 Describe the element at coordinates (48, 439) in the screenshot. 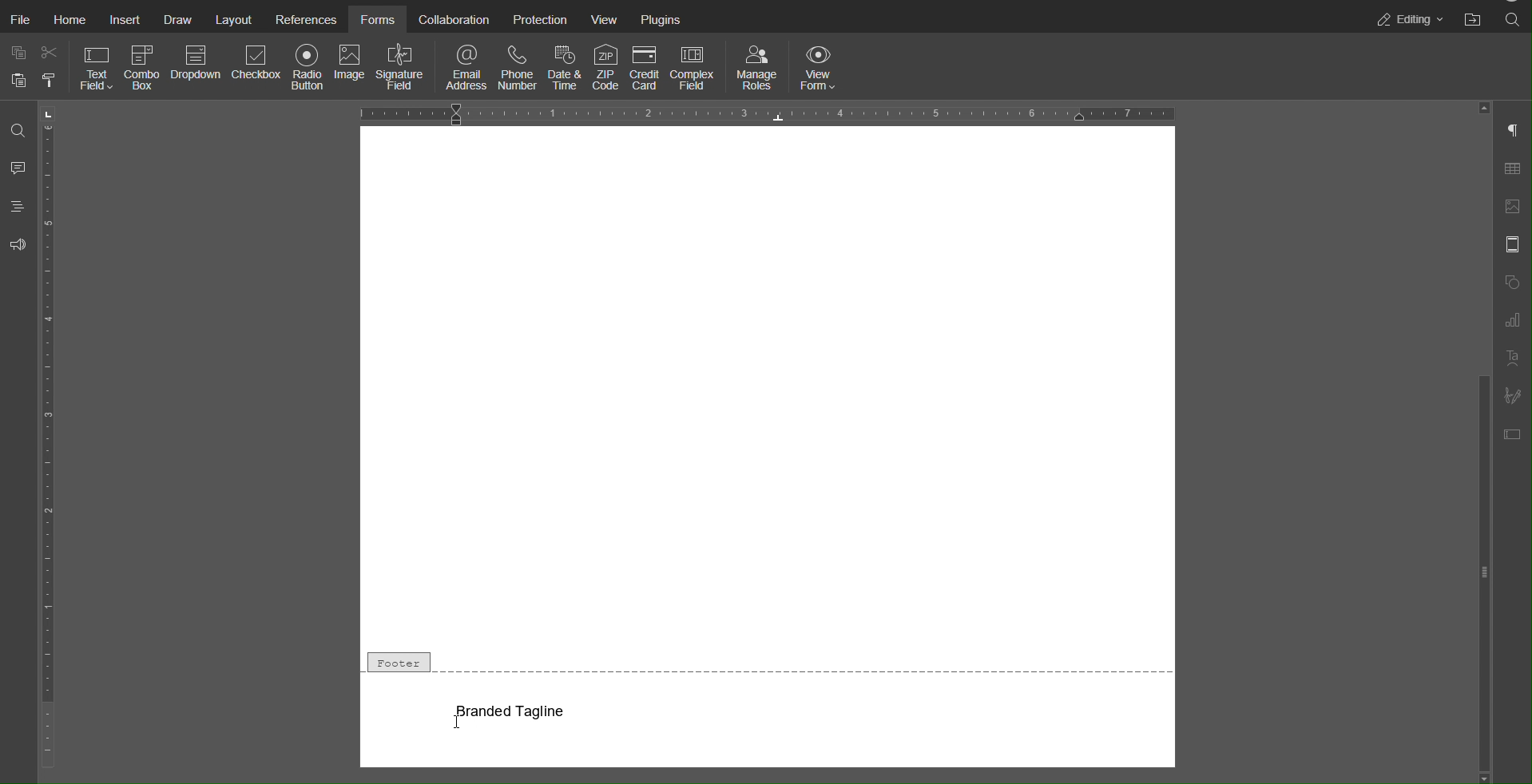

I see `Vertical Ruler` at that location.